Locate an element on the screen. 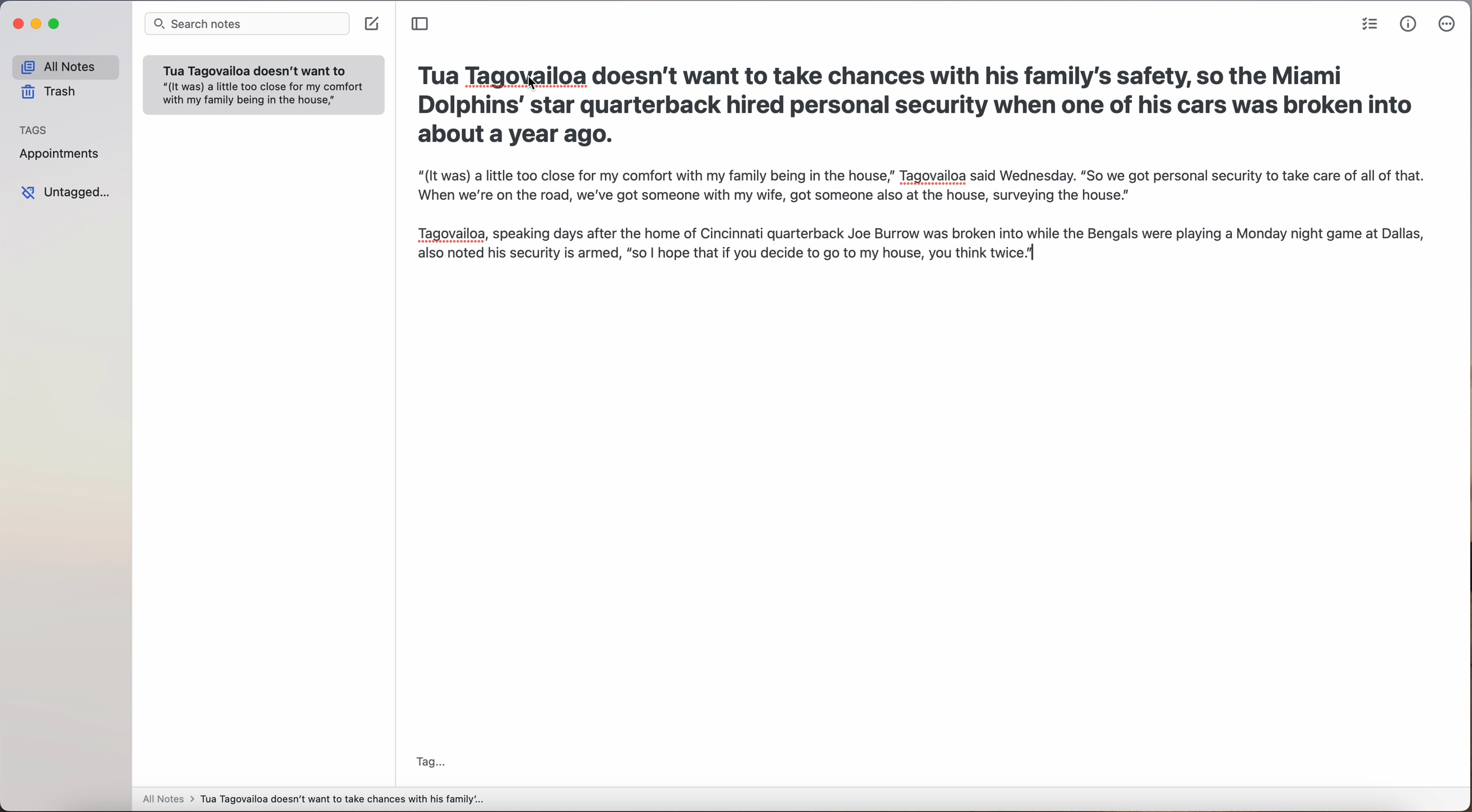 The width and height of the screenshot is (1472, 812). close Simplenote is located at coordinates (19, 24).